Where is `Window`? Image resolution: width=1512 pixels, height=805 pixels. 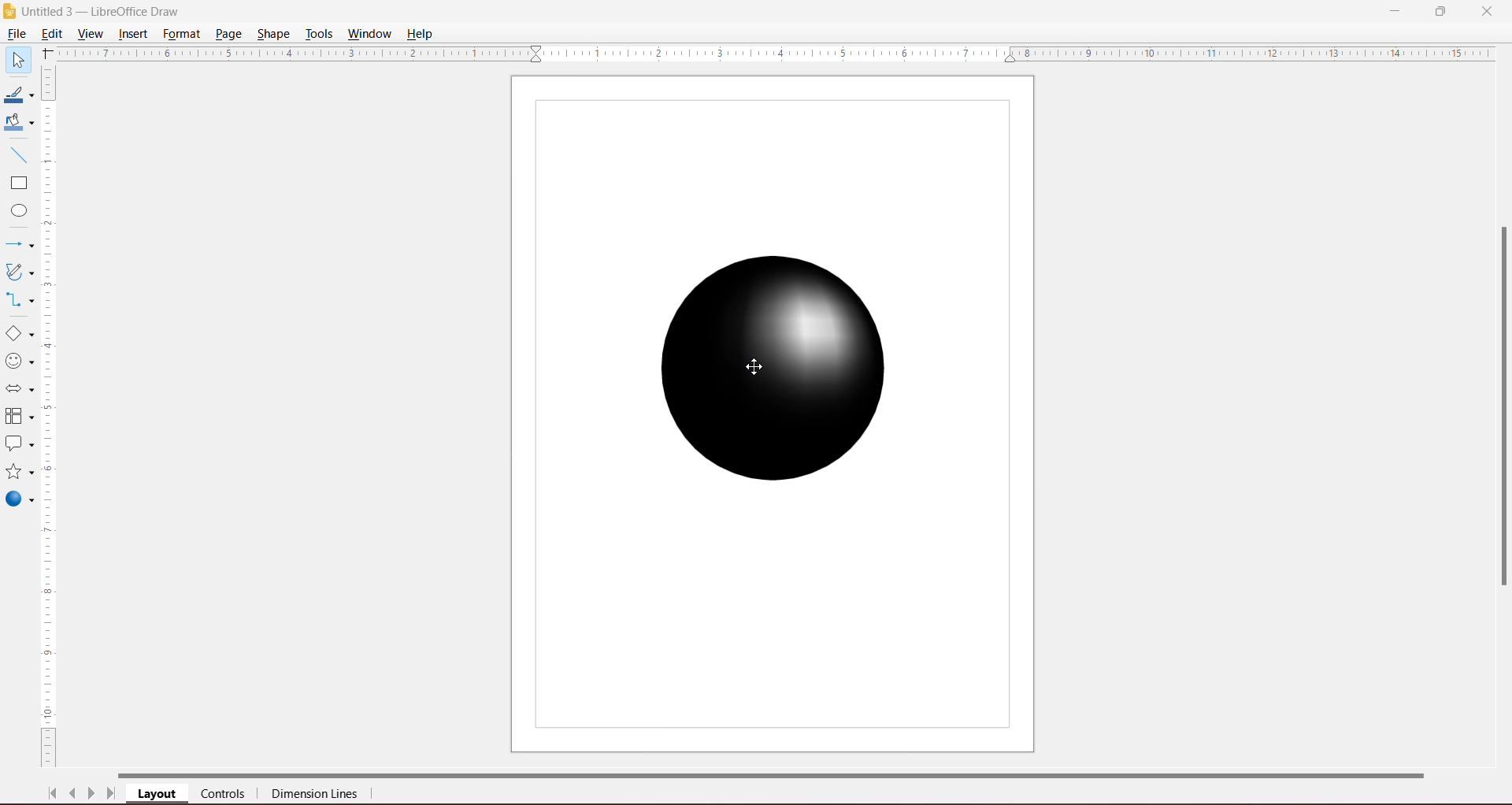 Window is located at coordinates (369, 34).